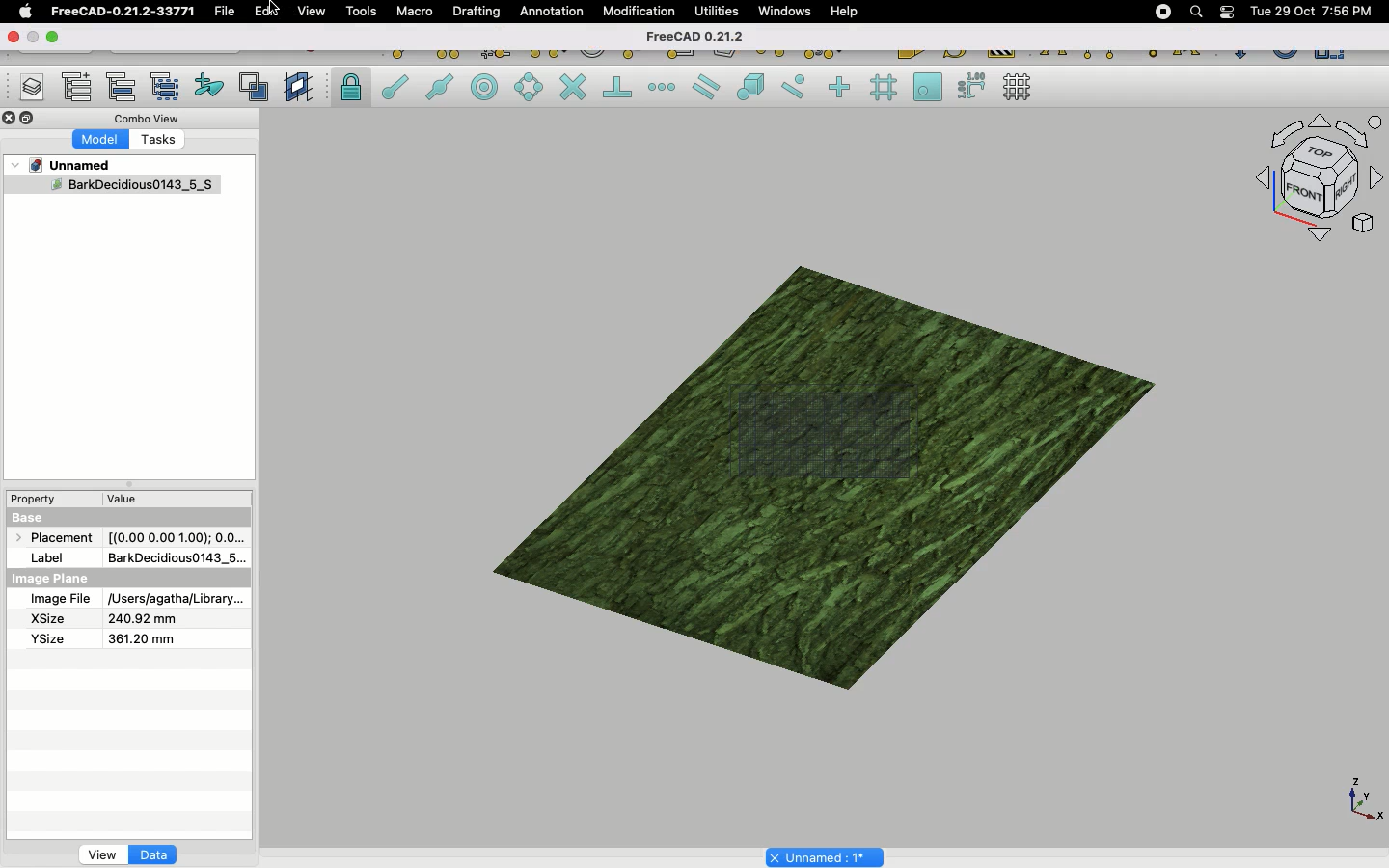  Describe the element at coordinates (258, 88) in the screenshot. I see `Create working plane proxy` at that location.